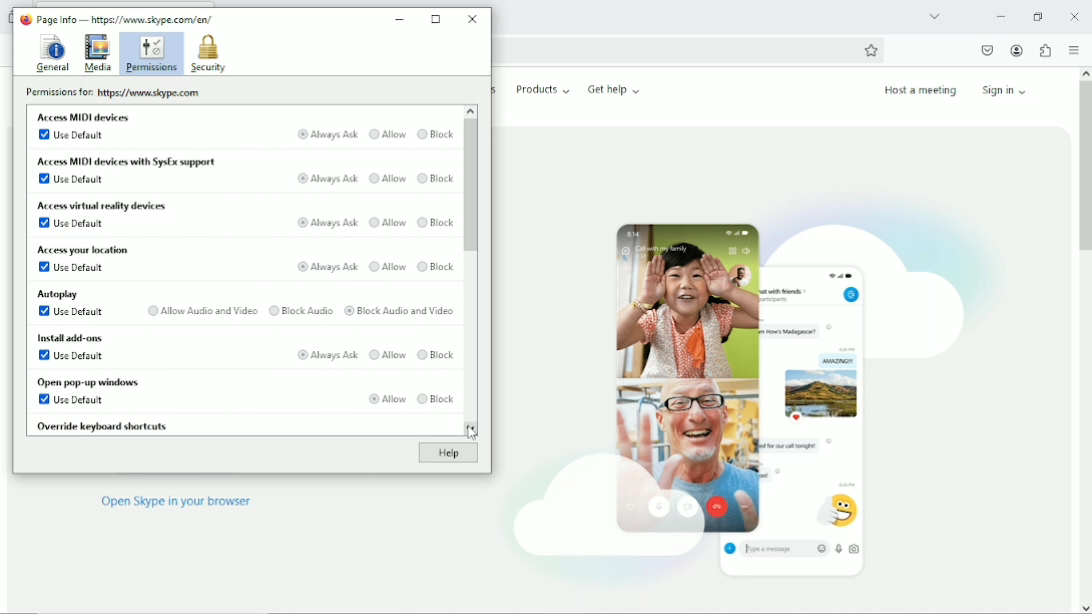 Image resolution: width=1092 pixels, height=614 pixels. Describe the element at coordinates (1083, 168) in the screenshot. I see `vertical scrollbar` at that location.